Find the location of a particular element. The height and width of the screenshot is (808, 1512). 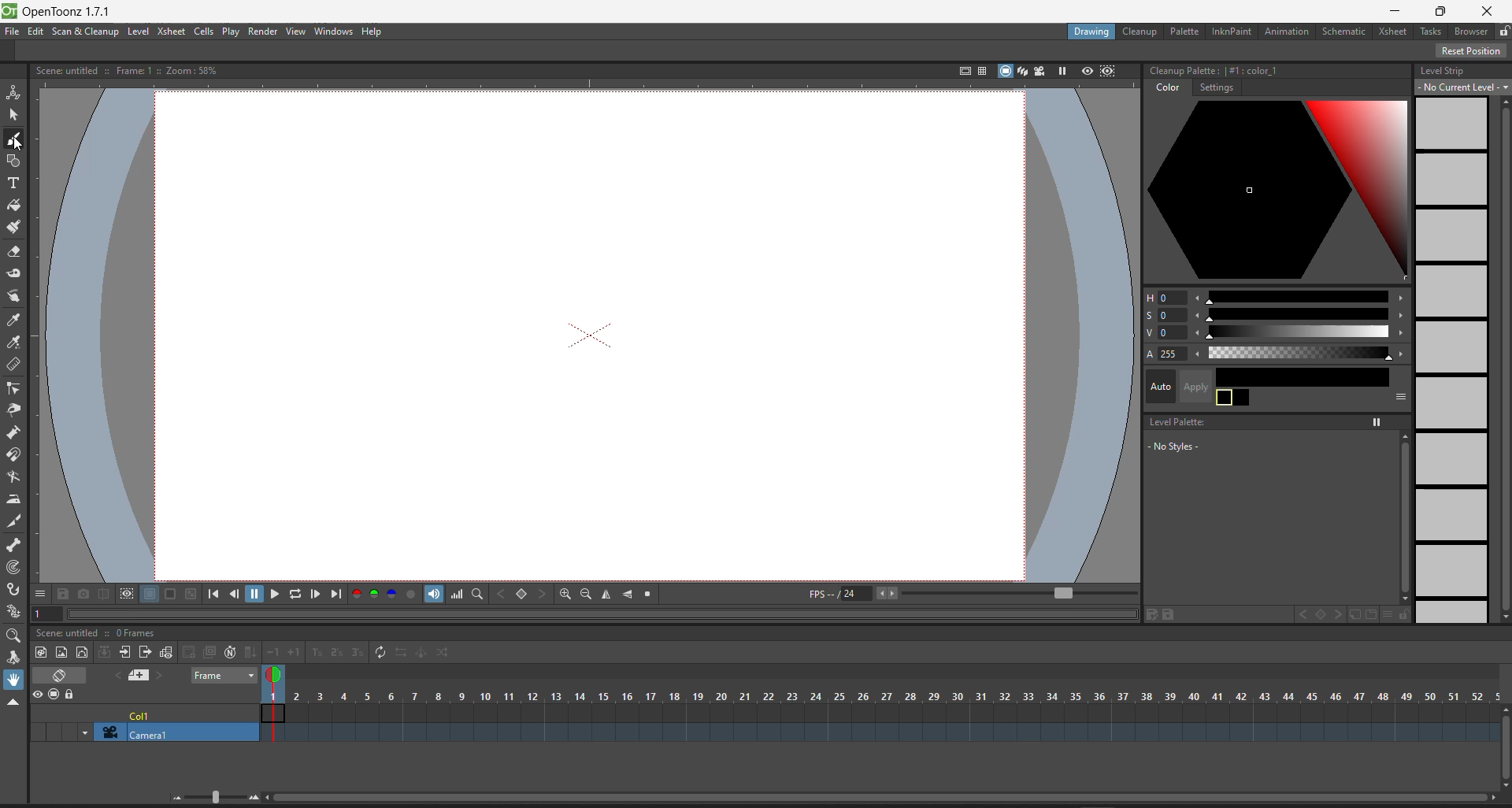

level strip is located at coordinates (1449, 72).